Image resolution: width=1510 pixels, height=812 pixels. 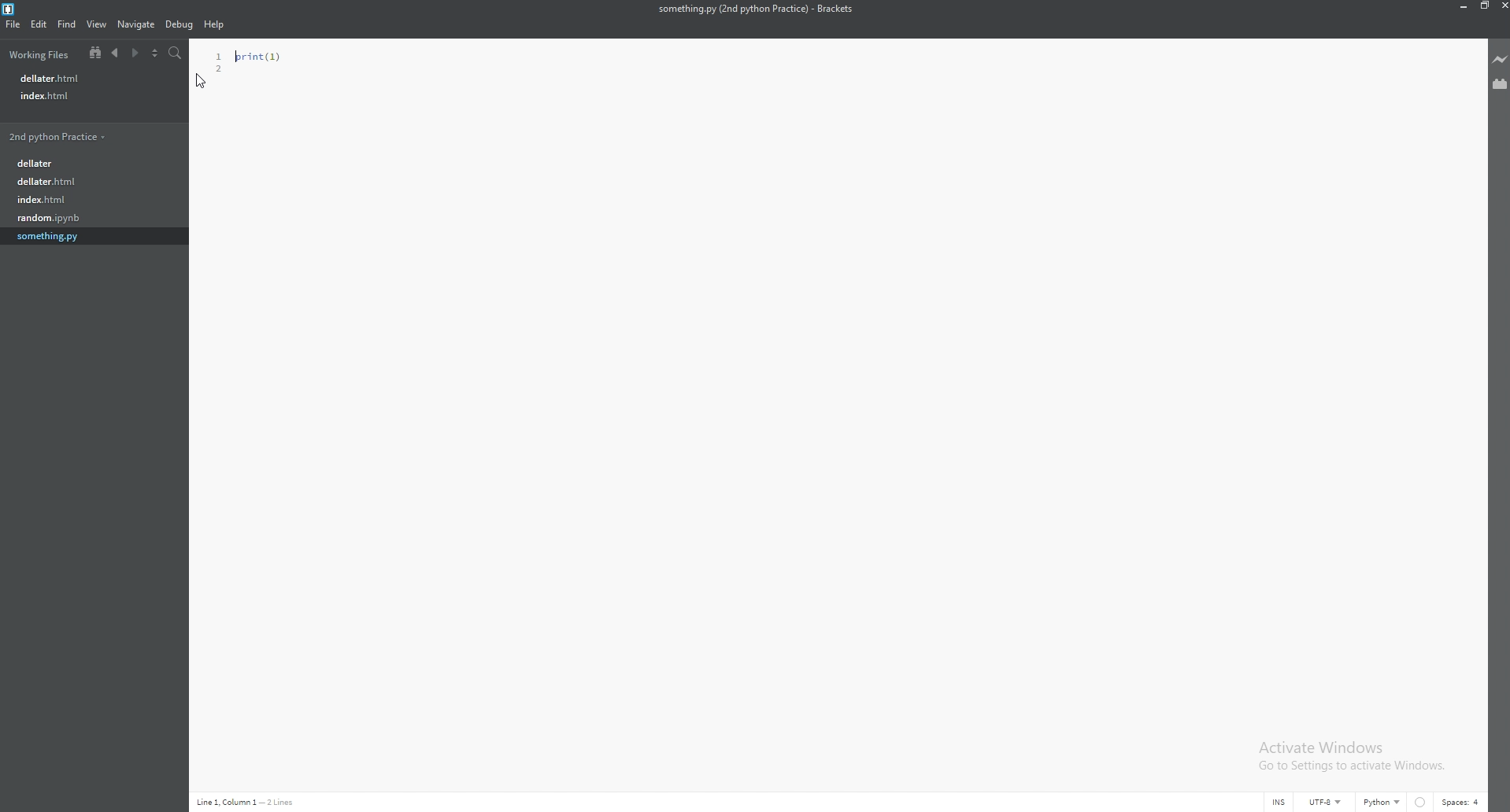 I want to click on file, so click(x=80, y=243).